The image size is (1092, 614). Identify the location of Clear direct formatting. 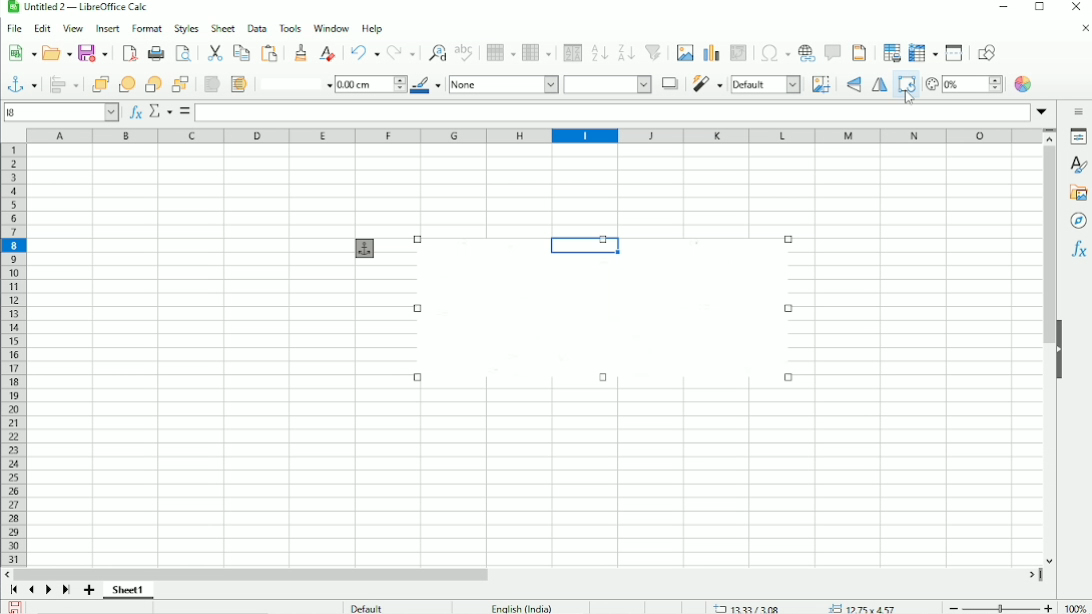
(326, 53).